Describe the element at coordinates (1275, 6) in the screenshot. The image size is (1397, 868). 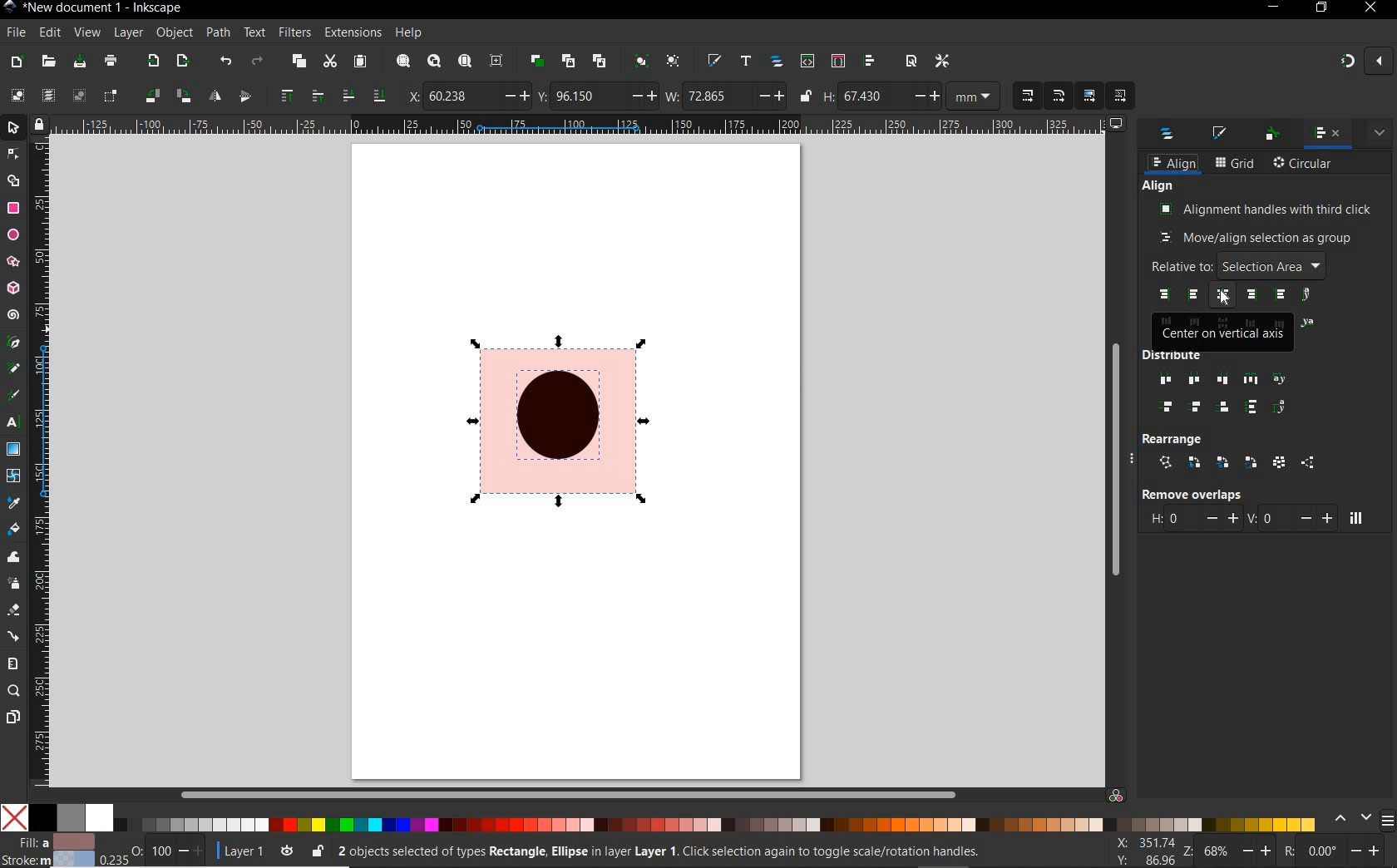
I see `minimize` at that location.